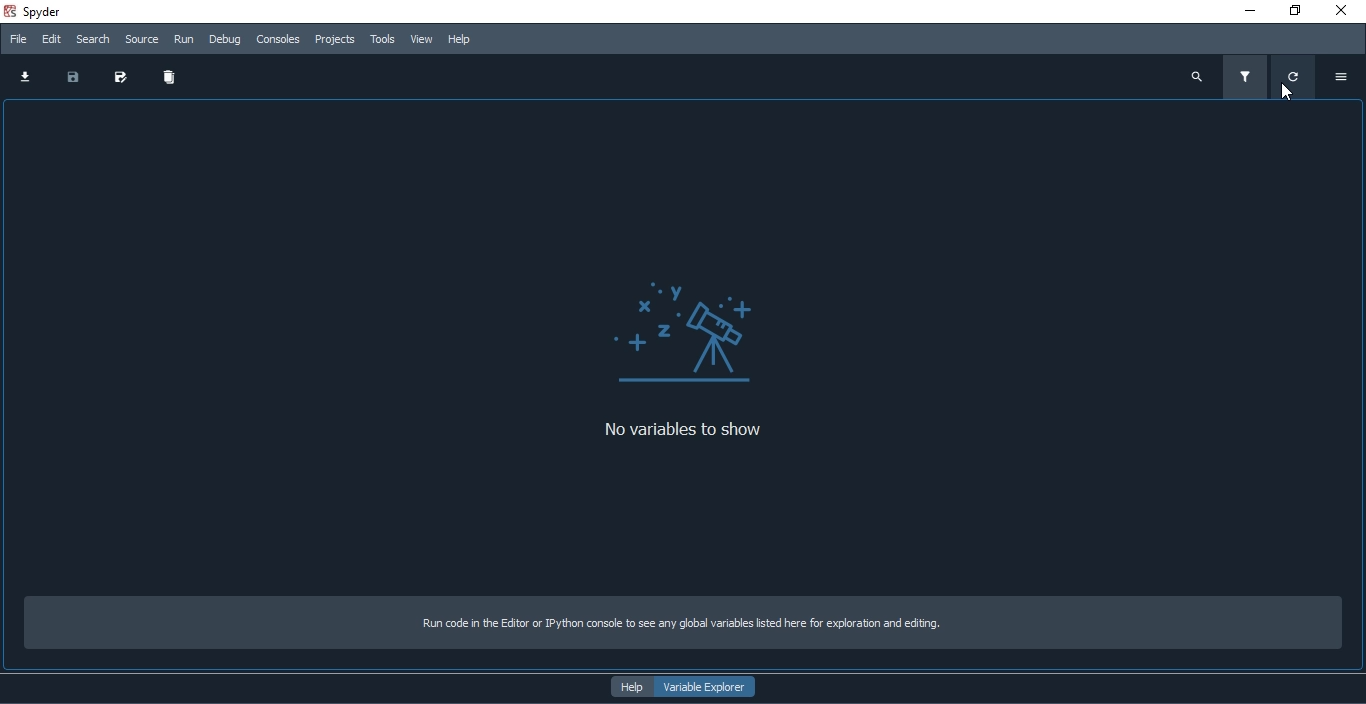 The image size is (1366, 704). What do you see at coordinates (1245, 78) in the screenshot?
I see `filter` at bounding box center [1245, 78].